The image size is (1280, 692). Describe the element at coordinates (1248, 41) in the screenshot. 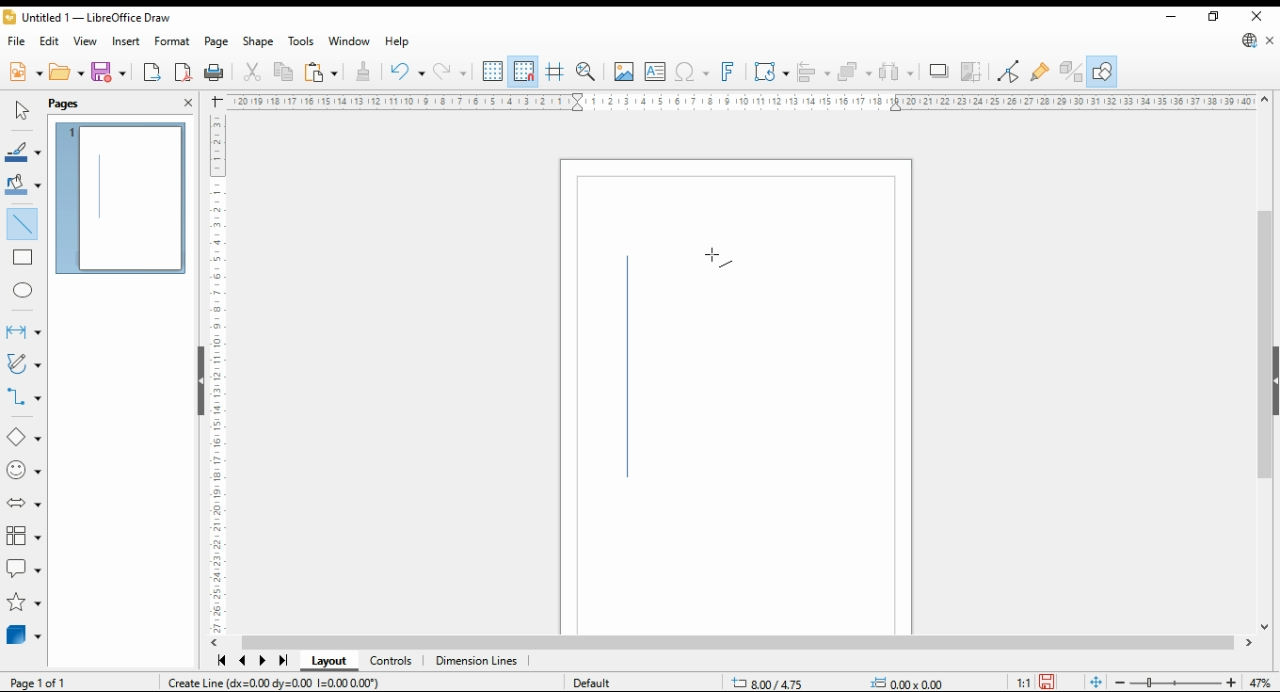

I see `libreoffice update` at that location.